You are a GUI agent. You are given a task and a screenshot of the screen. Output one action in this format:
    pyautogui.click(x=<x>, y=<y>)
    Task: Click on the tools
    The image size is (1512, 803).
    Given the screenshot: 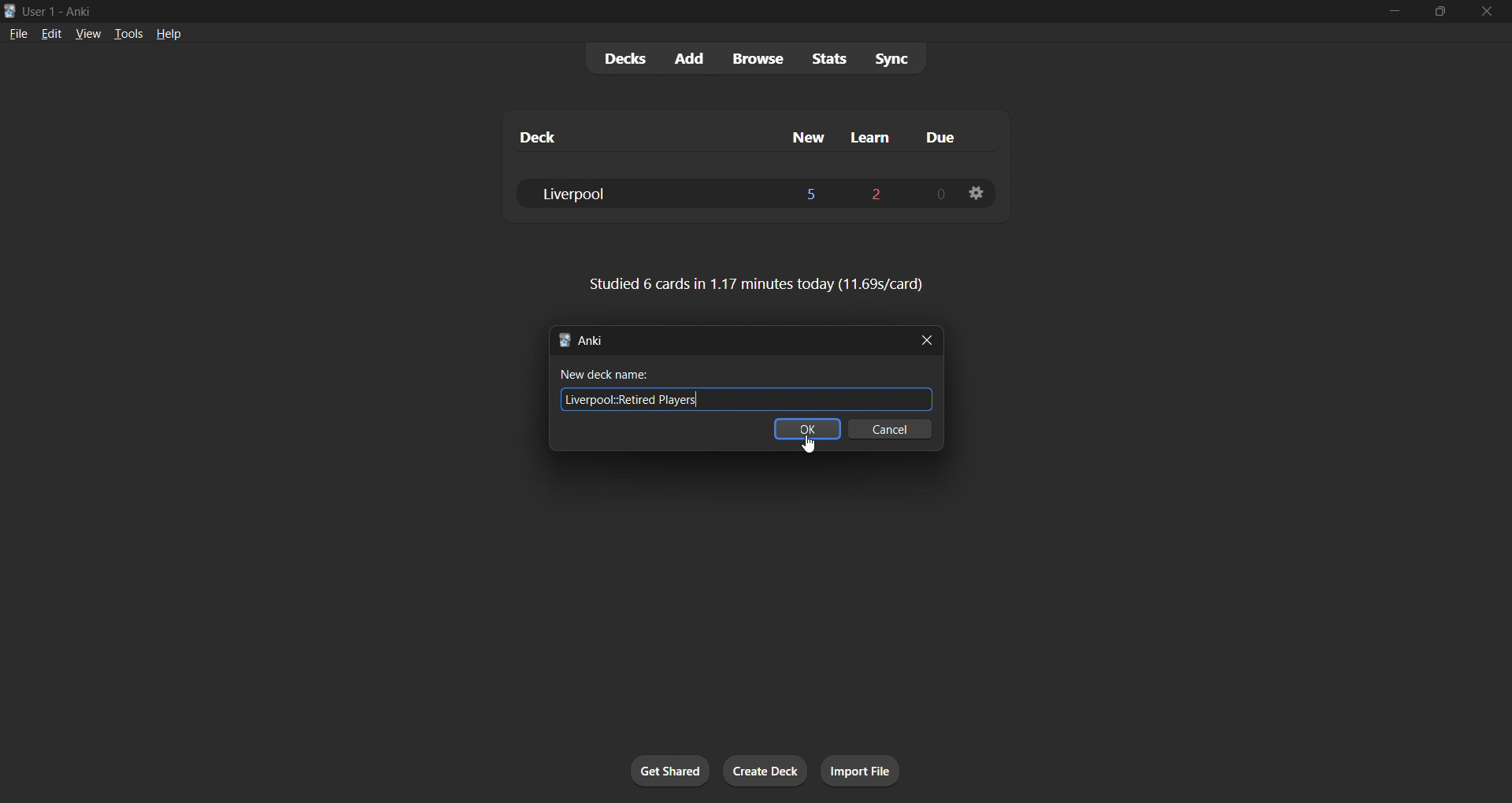 What is the action you would take?
    pyautogui.click(x=131, y=34)
    